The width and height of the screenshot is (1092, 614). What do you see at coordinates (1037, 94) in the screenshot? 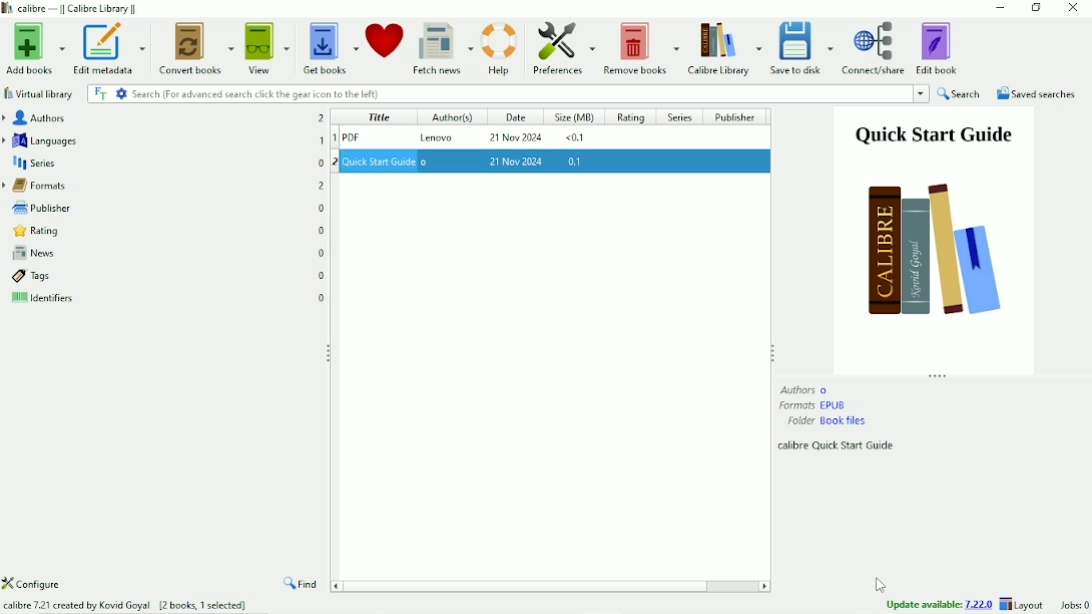
I see `Saved searches` at bounding box center [1037, 94].